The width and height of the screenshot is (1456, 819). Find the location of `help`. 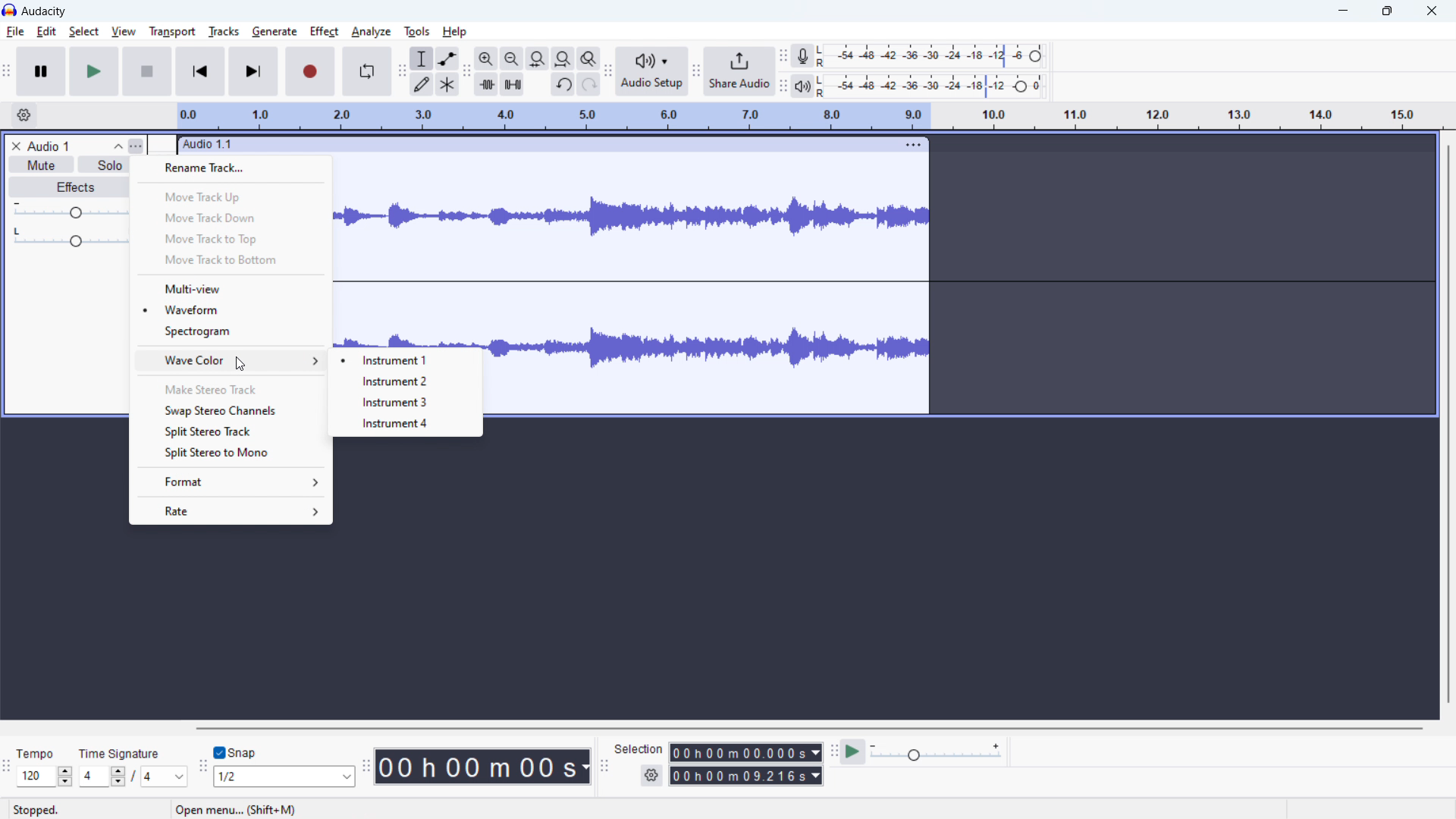

help is located at coordinates (456, 33).